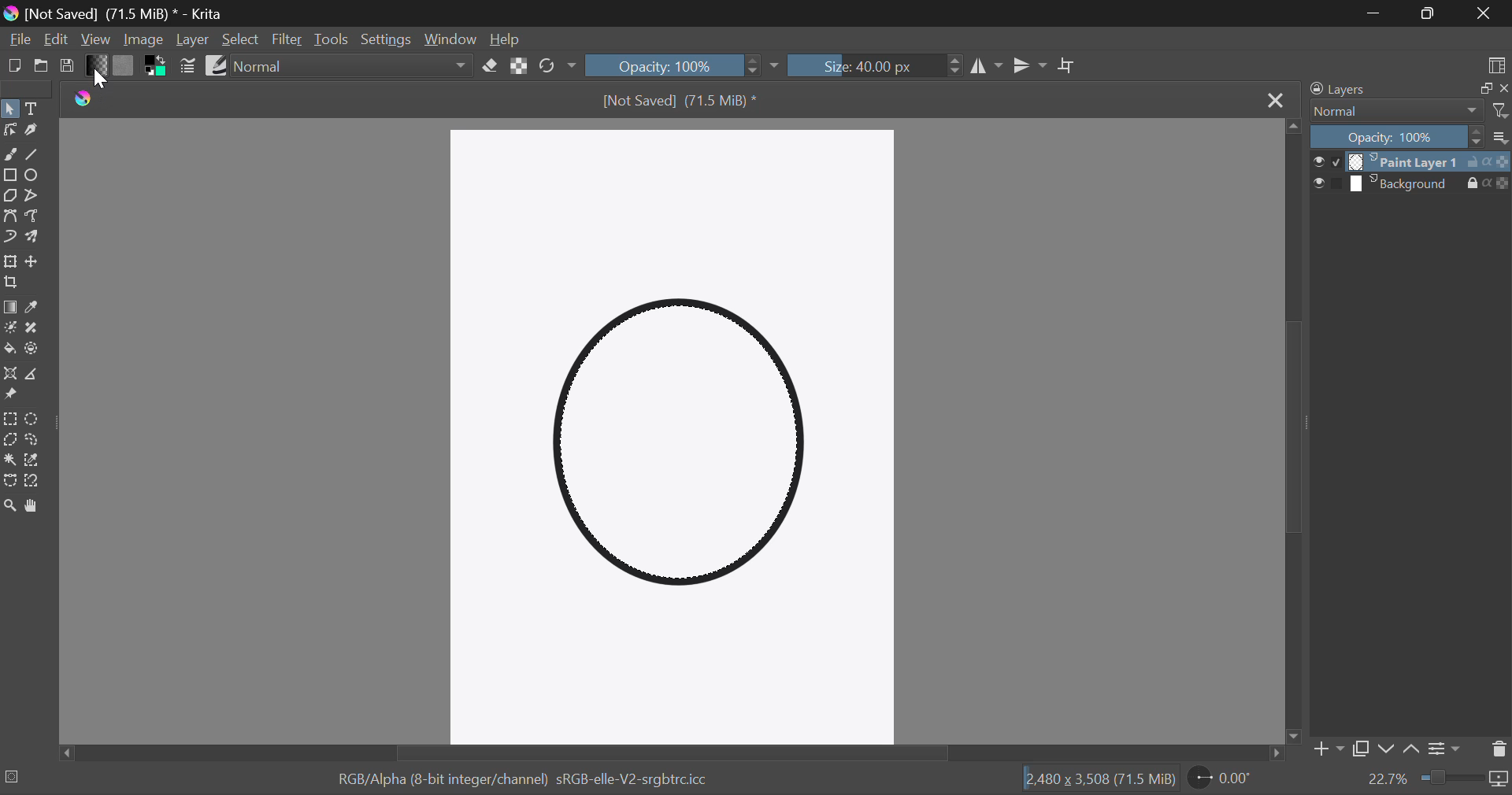  Describe the element at coordinates (13, 417) in the screenshot. I see `Rectangle Selection` at that location.